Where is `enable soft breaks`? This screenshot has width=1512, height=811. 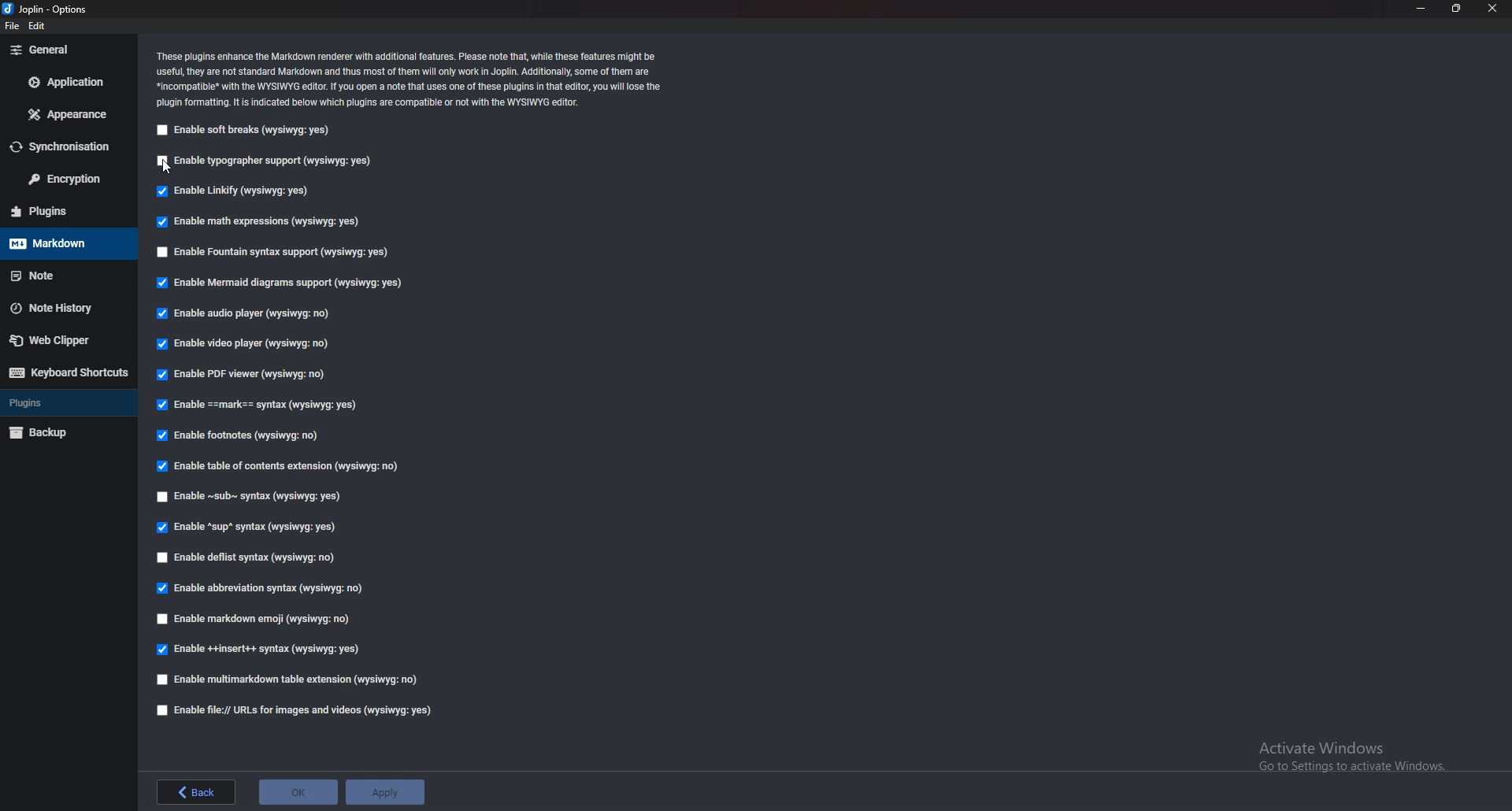 enable soft breaks is located at coordinates (244, 130).